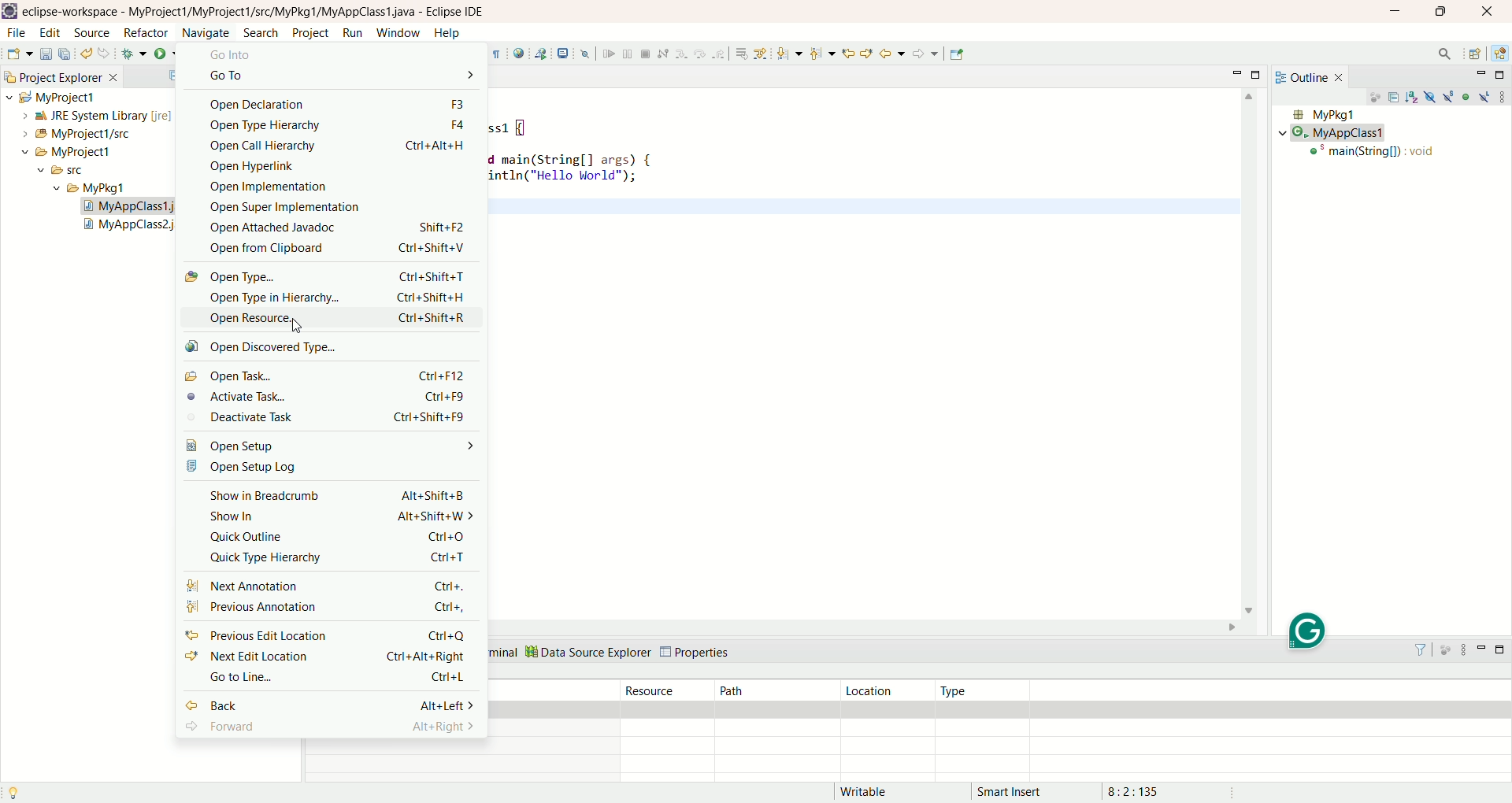 The width and height of the screenshot is (1512, 803). What do you see at coordinates (1336, 133) in the screenshot?
I see `myappclass1` at bounding box center [1336, 133].